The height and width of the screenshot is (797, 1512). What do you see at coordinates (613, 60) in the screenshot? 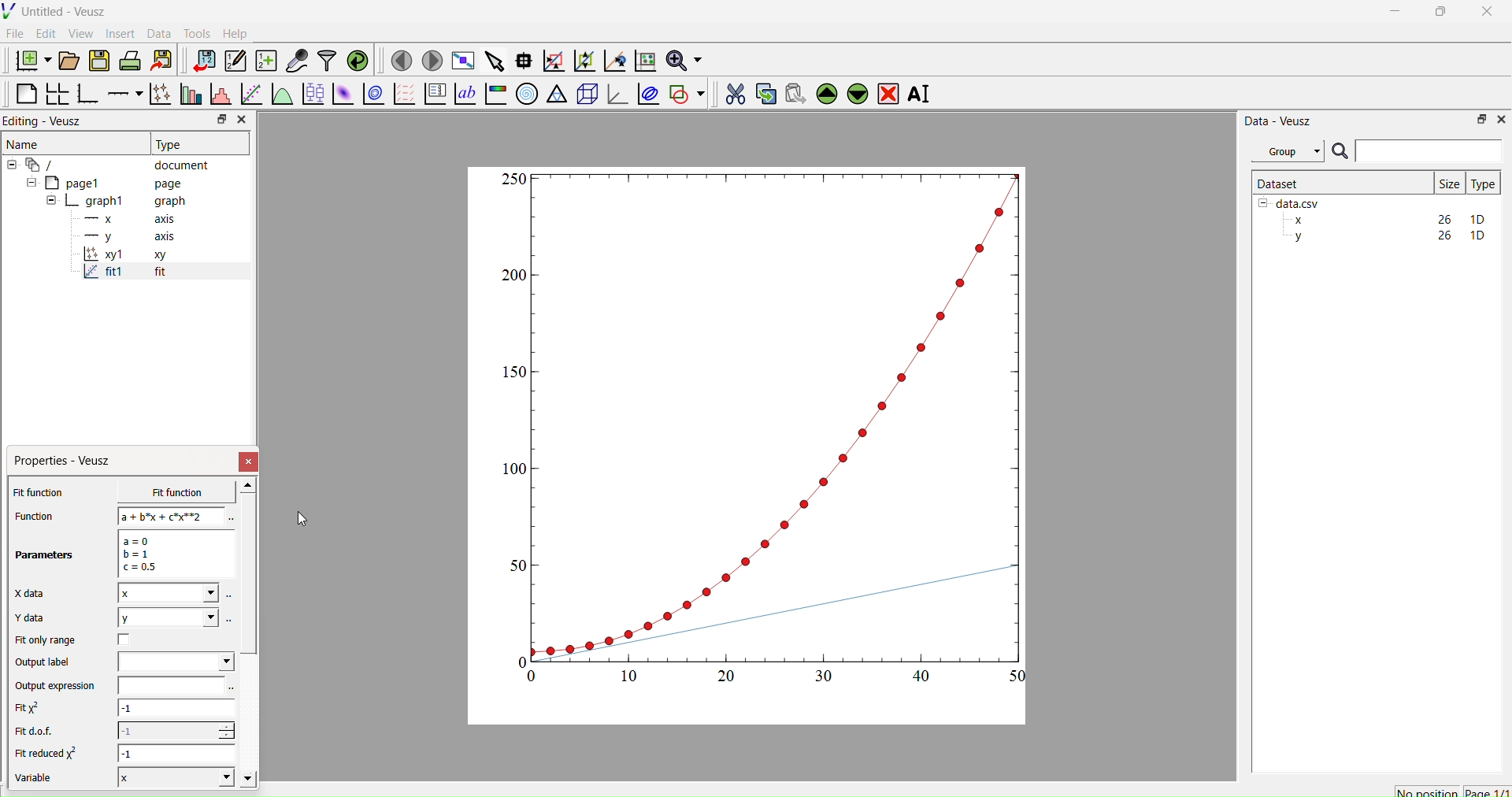
I see `Recenter graph axis` at bounding box center [613, 60].